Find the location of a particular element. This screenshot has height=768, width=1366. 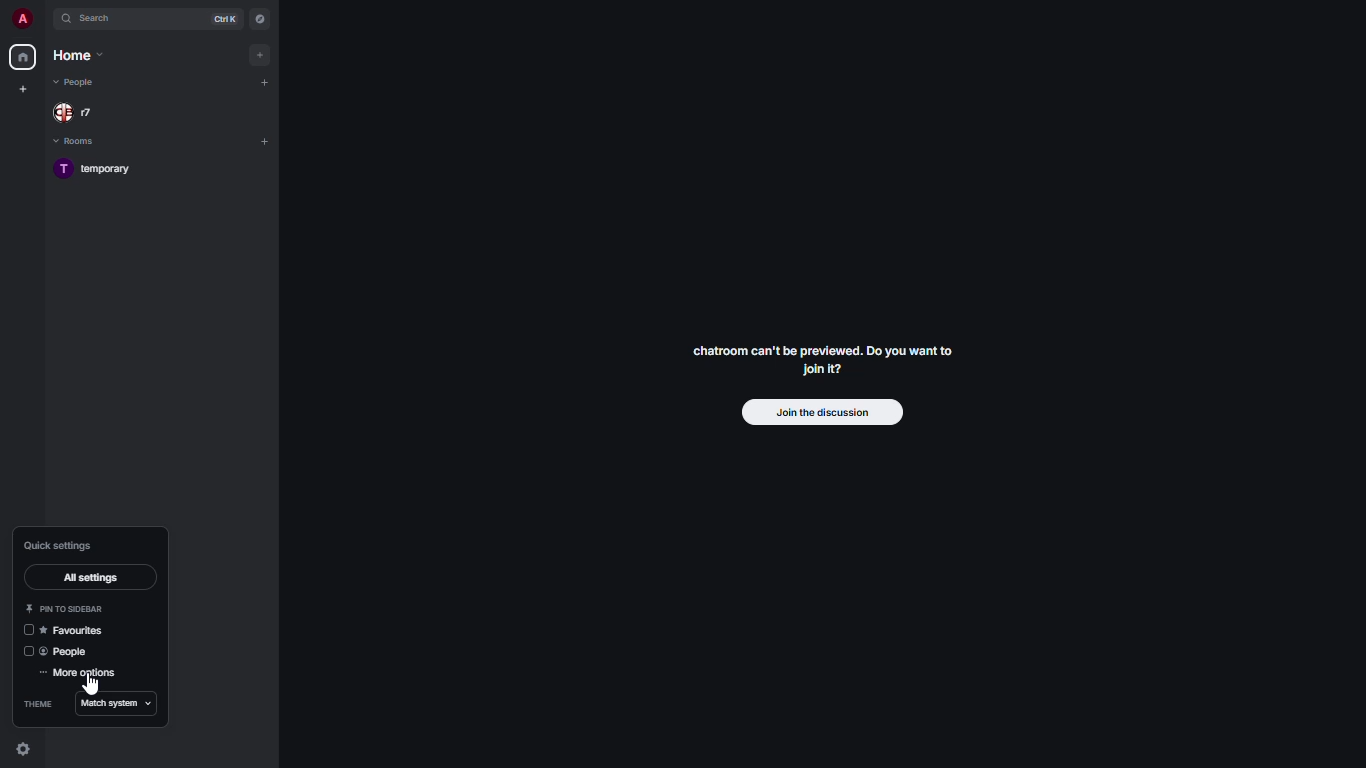

navigator is located at coordinates (258, 18).